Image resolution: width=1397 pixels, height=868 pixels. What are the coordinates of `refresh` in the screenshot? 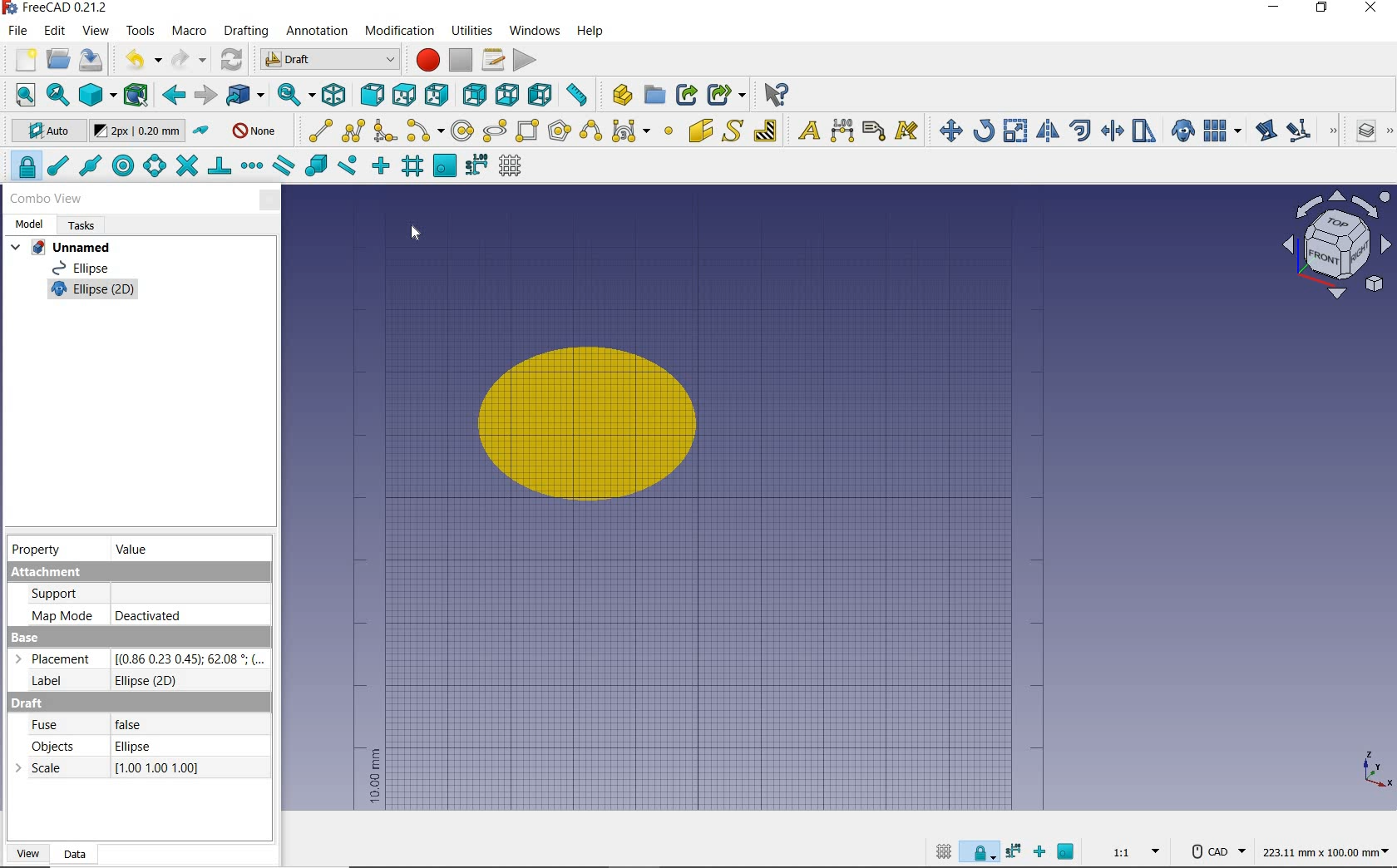 It's located at (232, 62).